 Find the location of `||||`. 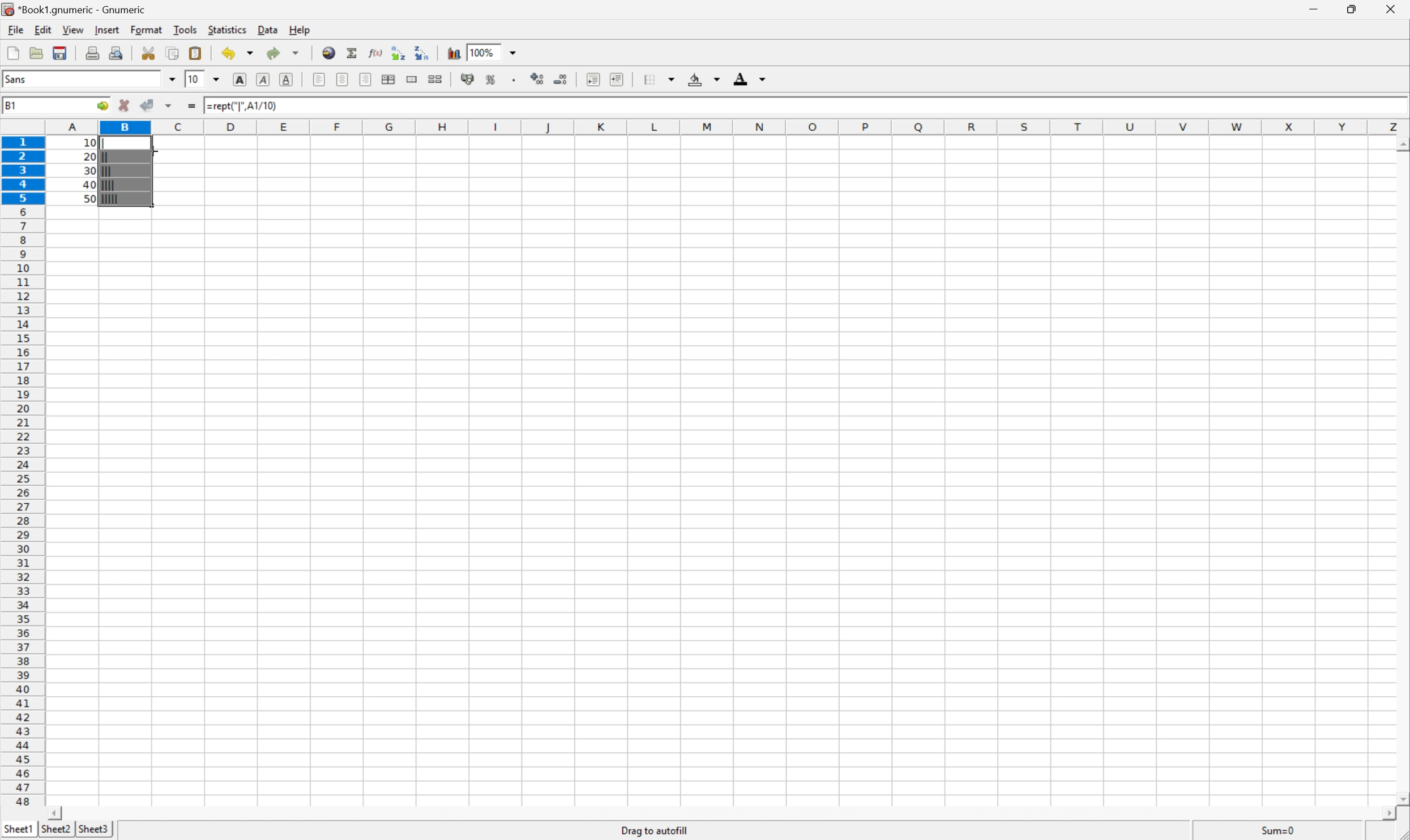

|||| is located at coordinates (109, 184).